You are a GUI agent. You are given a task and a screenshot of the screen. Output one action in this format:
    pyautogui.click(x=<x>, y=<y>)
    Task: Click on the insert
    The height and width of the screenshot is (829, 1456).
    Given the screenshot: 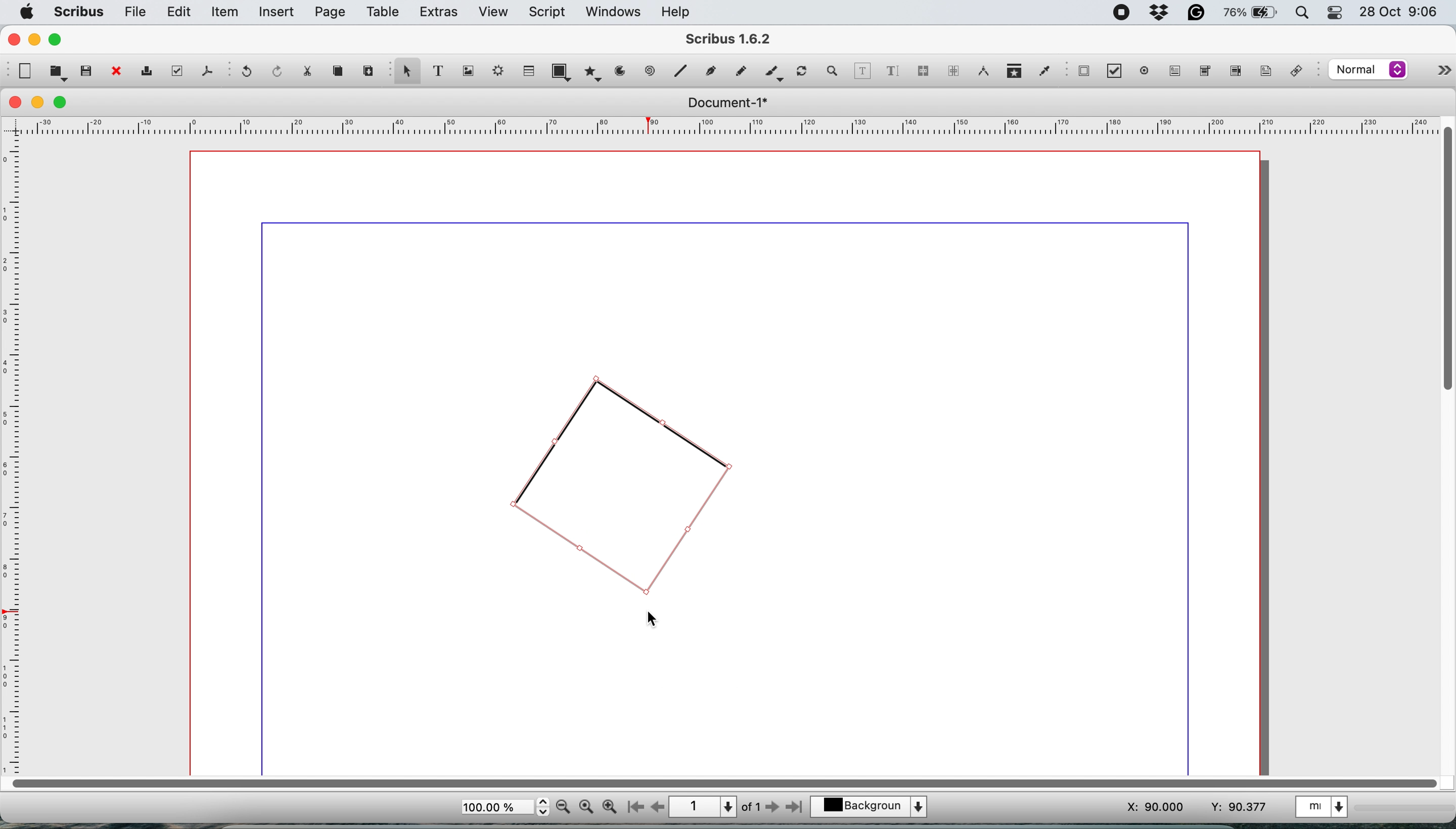 What is the action you would take?
    pyautogui.click(x=278, y=13)
    